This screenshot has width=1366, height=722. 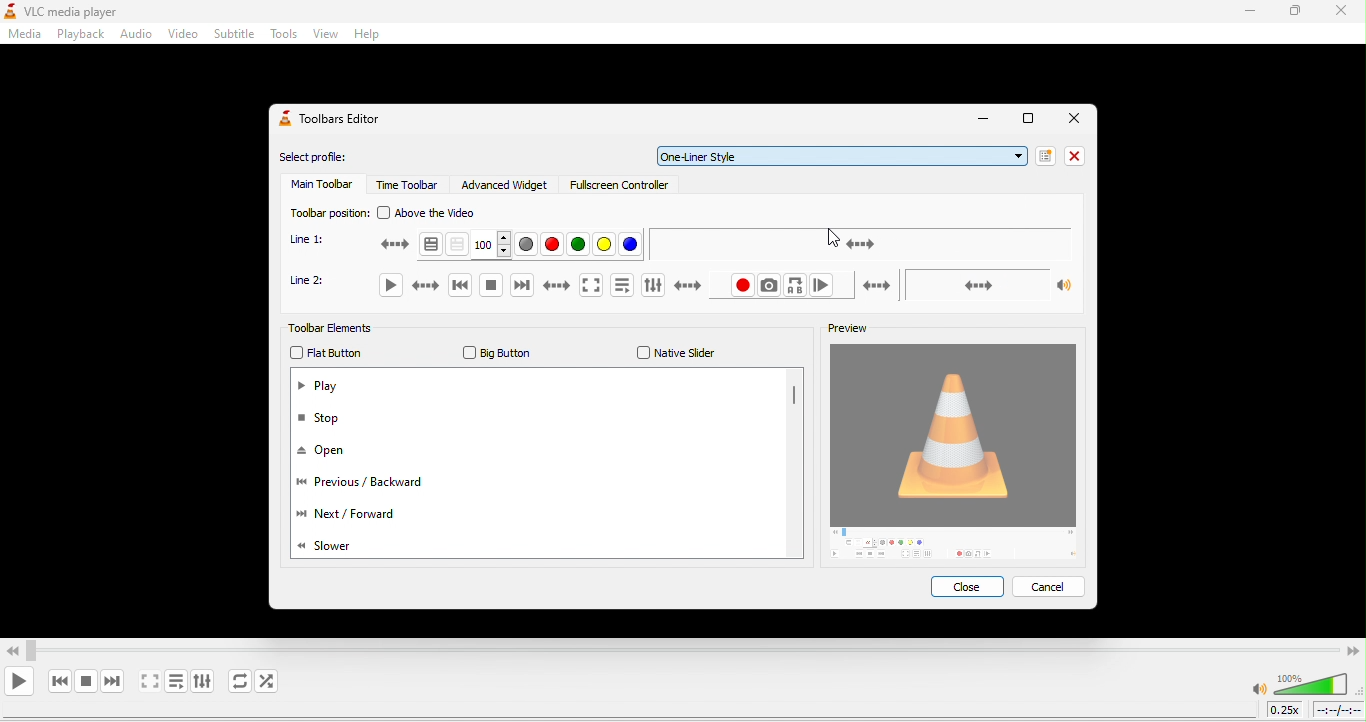 I want to click on line 2, so click(x=316, y=280).